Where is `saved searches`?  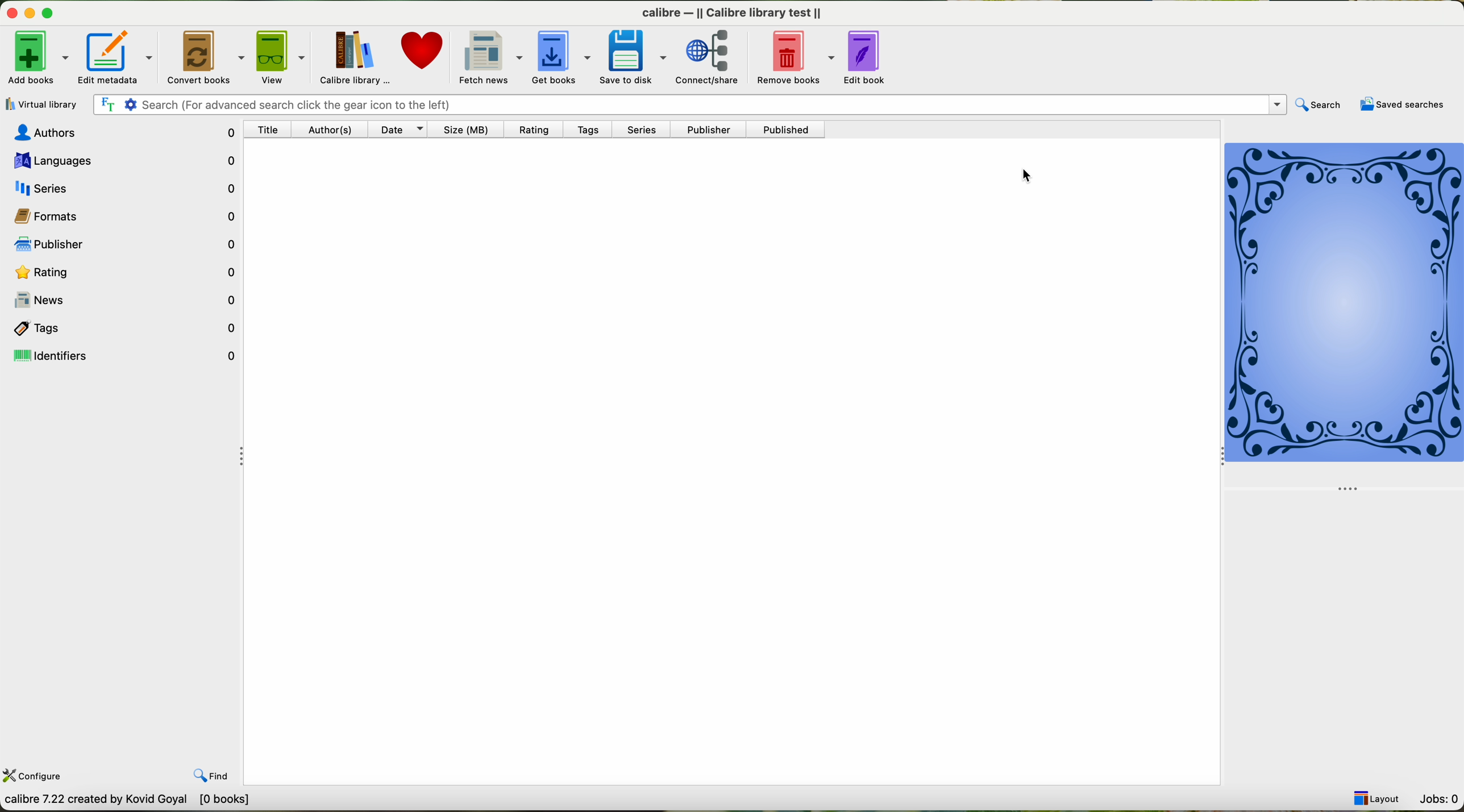 saved searches is located at coordinates (1405, 105).